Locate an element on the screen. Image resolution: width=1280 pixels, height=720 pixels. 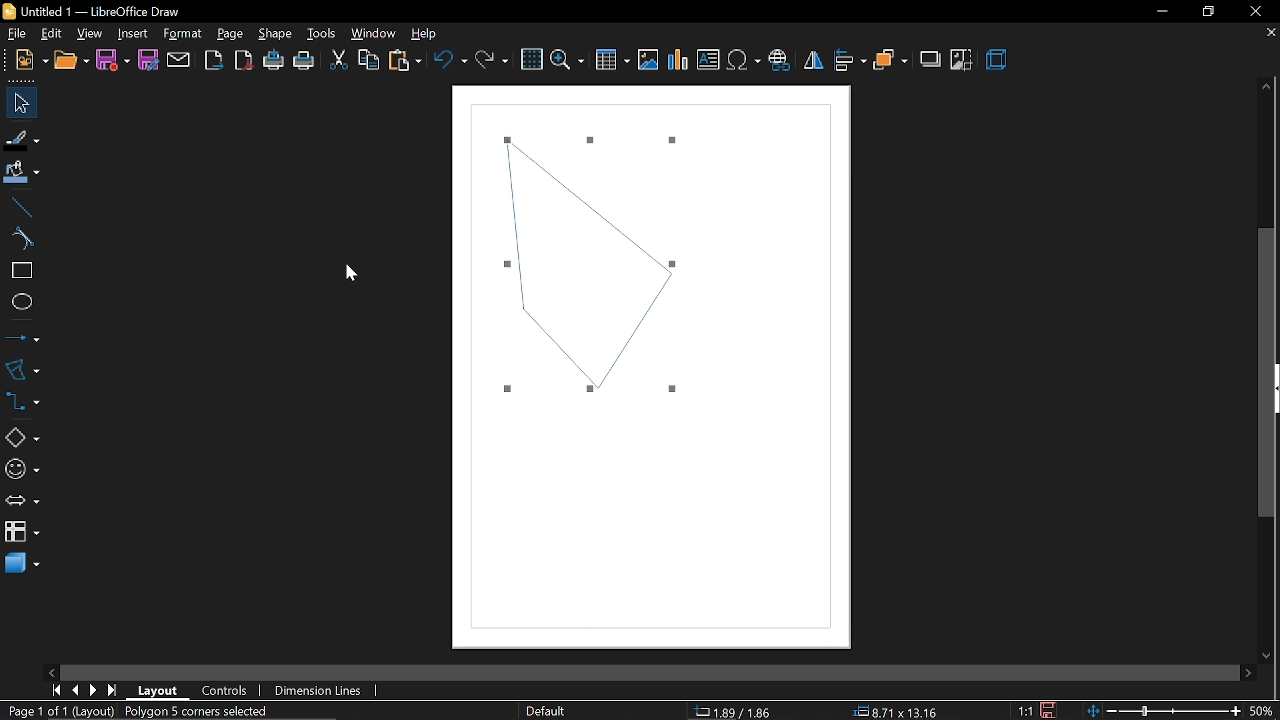
Canvas is located at coordinates (656, 371).